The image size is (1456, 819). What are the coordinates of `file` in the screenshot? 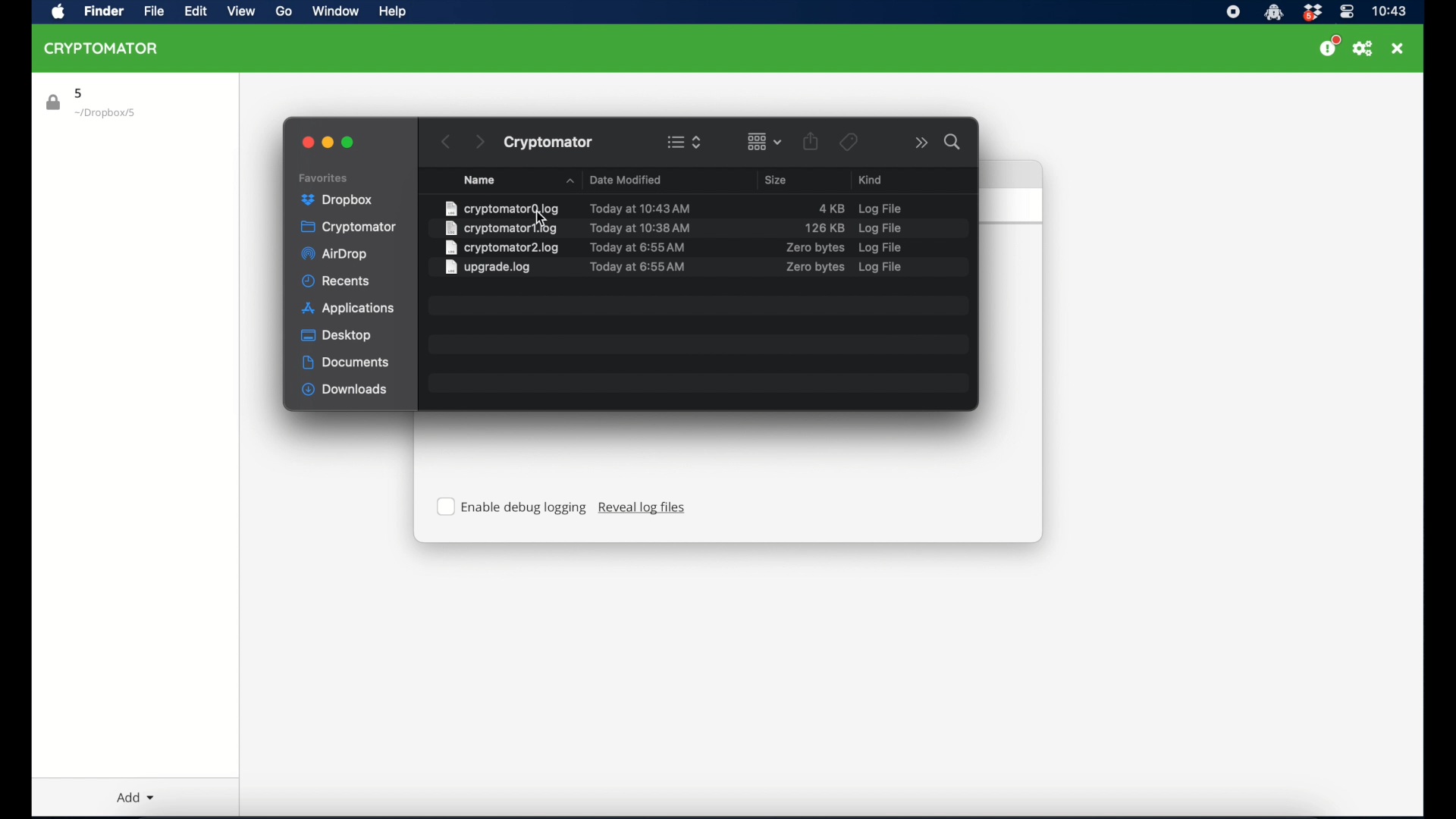 It's located at (153, 11).